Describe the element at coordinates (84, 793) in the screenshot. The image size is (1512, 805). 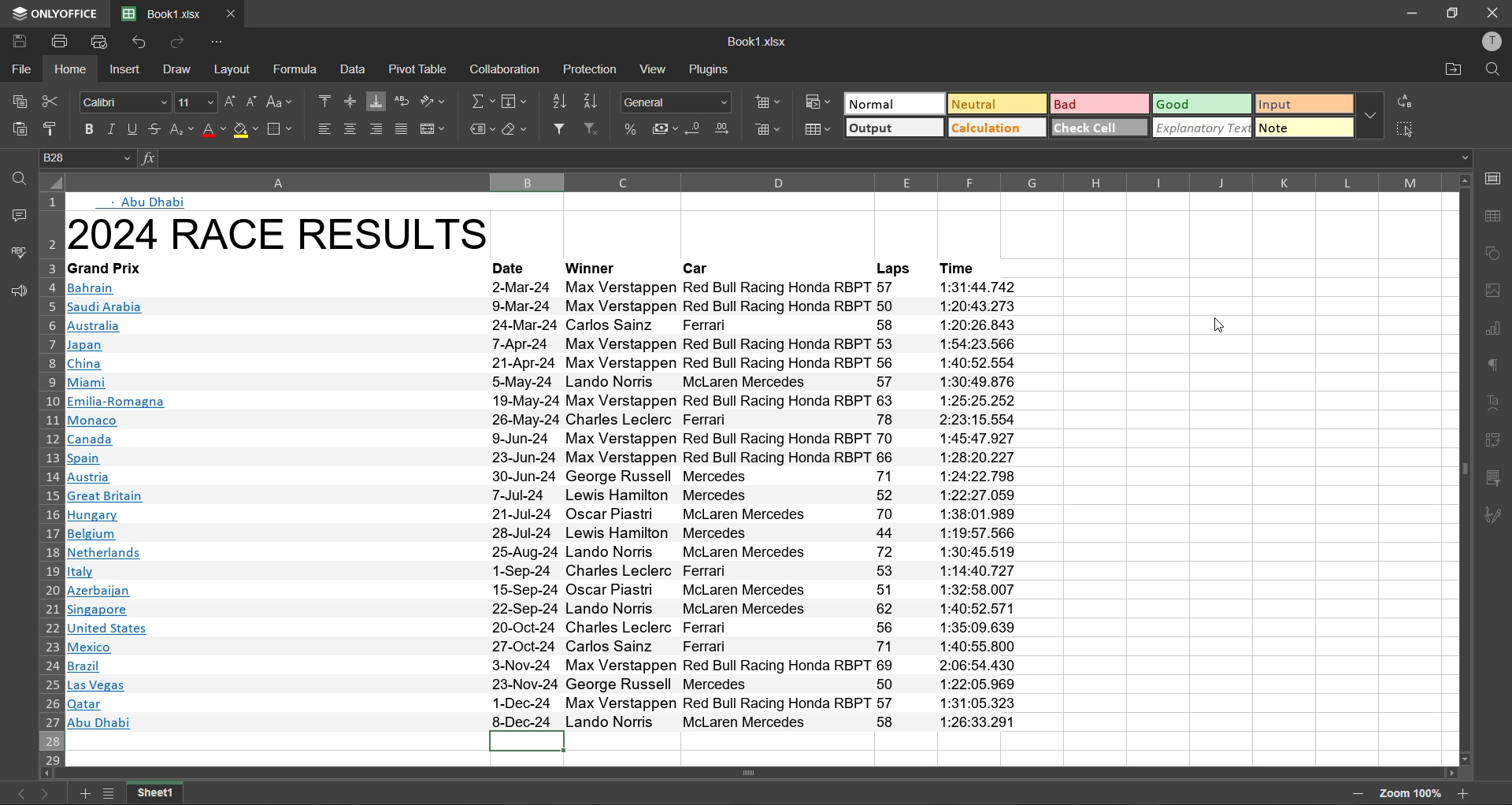
I see `add new sheet` at that location.